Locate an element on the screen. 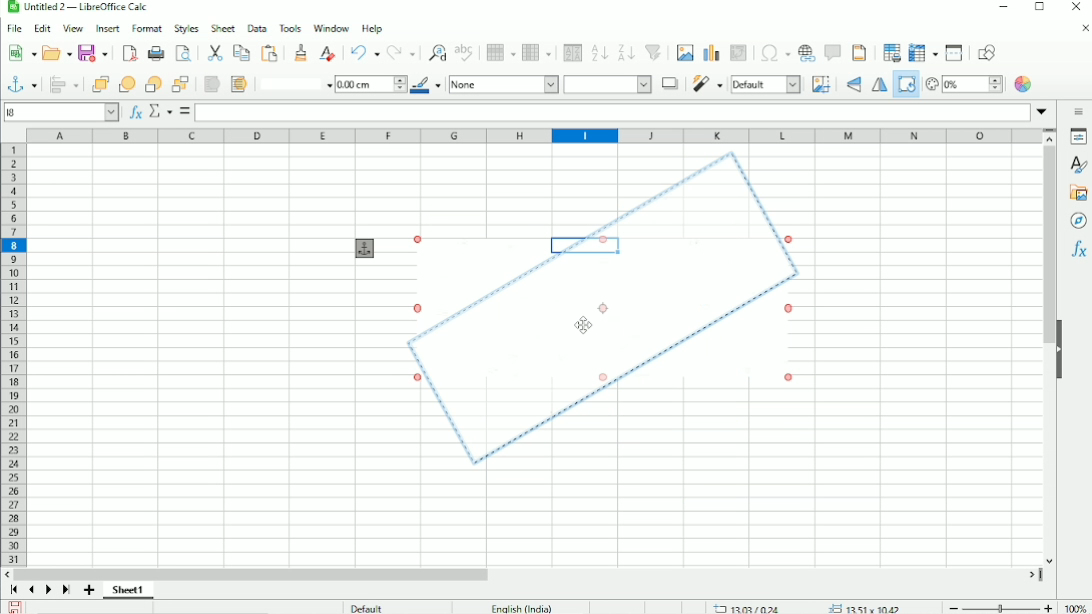 This screenshot has height=614, width=1092. Clone formatting is located at coordinates (299, 53).